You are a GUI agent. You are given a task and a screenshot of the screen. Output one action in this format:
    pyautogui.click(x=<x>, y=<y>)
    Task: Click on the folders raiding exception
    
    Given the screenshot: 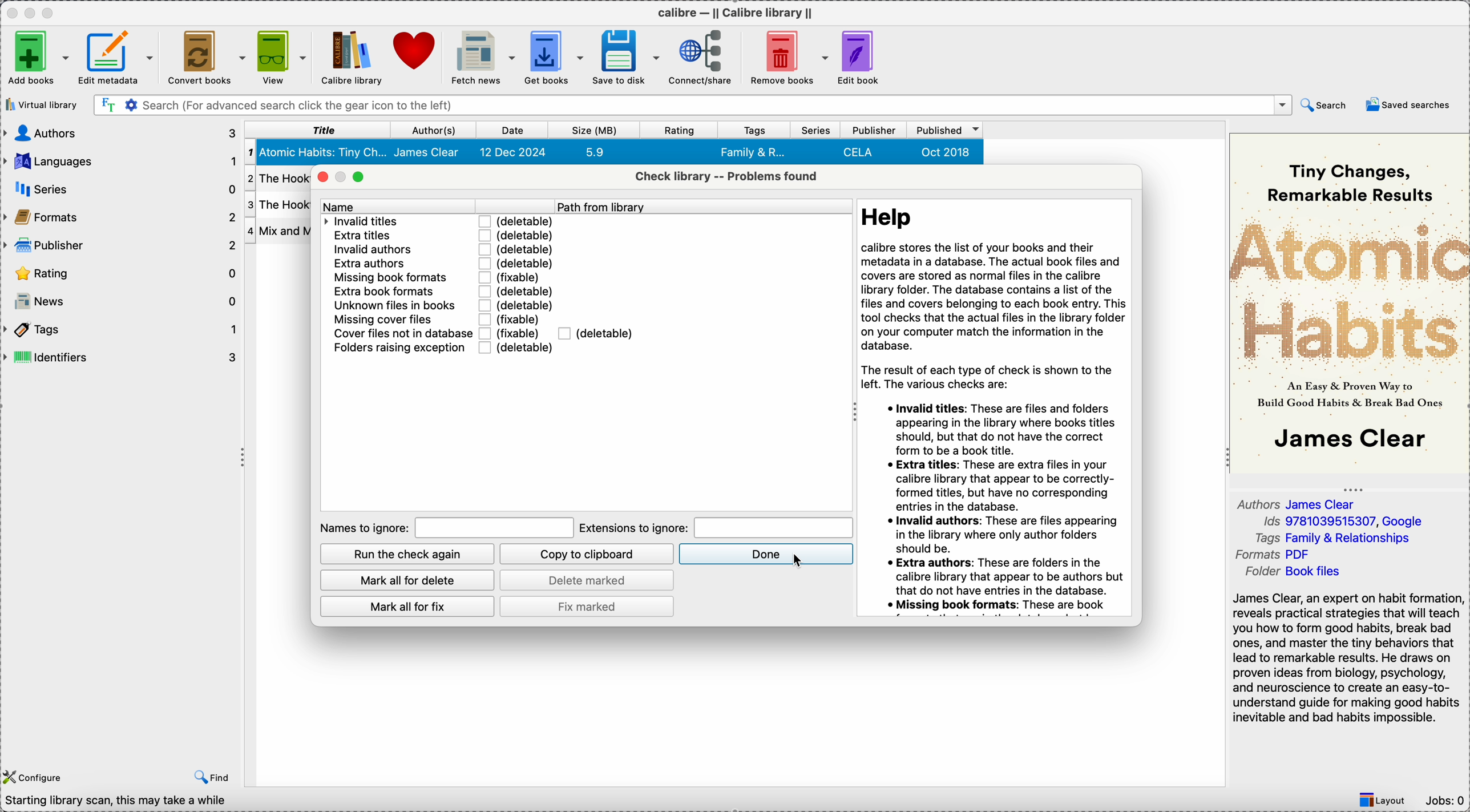 What is the action you would take?
    pyautogui.click(x=399, y=348)
    